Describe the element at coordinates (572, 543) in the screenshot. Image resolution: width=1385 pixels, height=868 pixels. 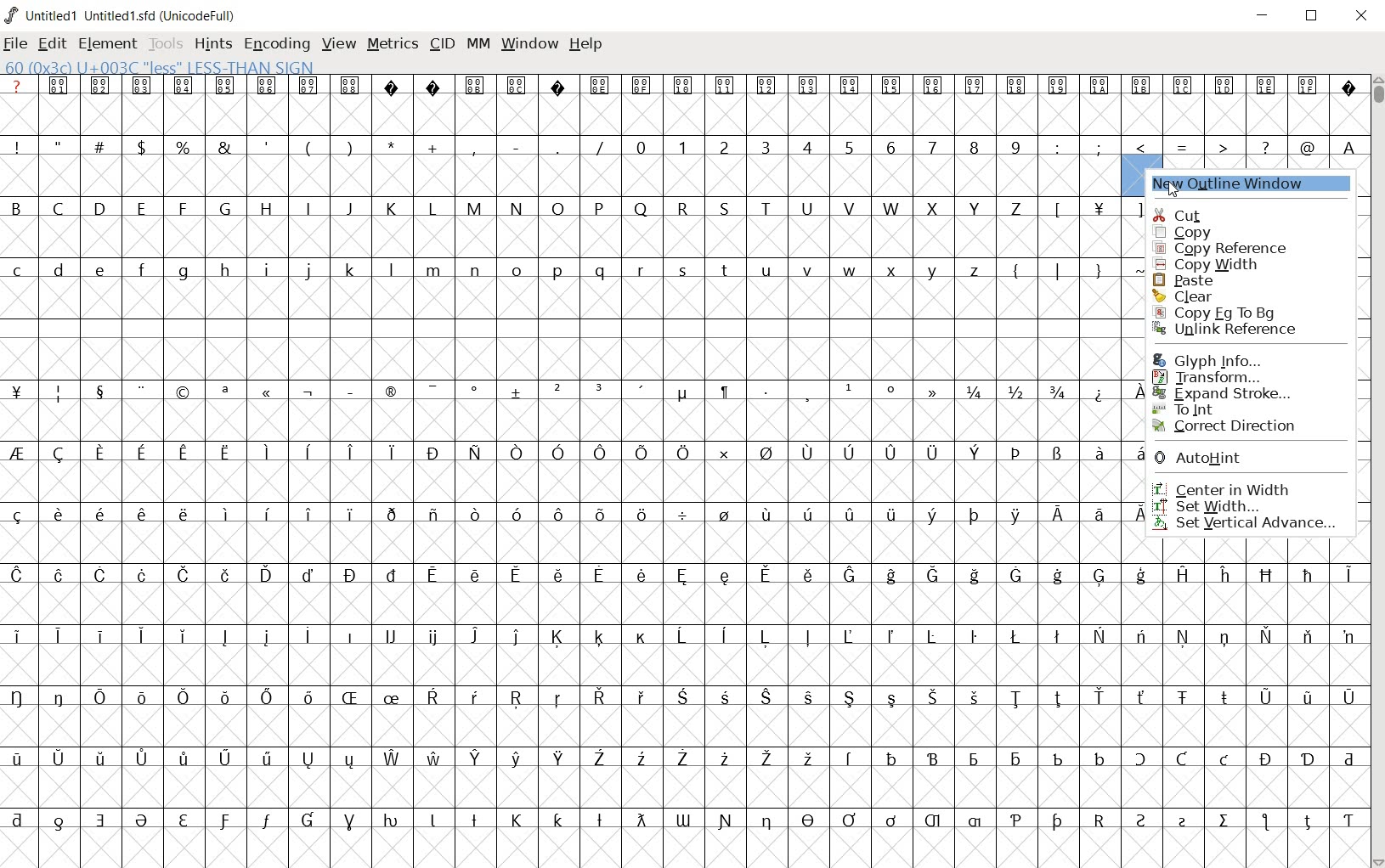
I see `empty cells` at that location.